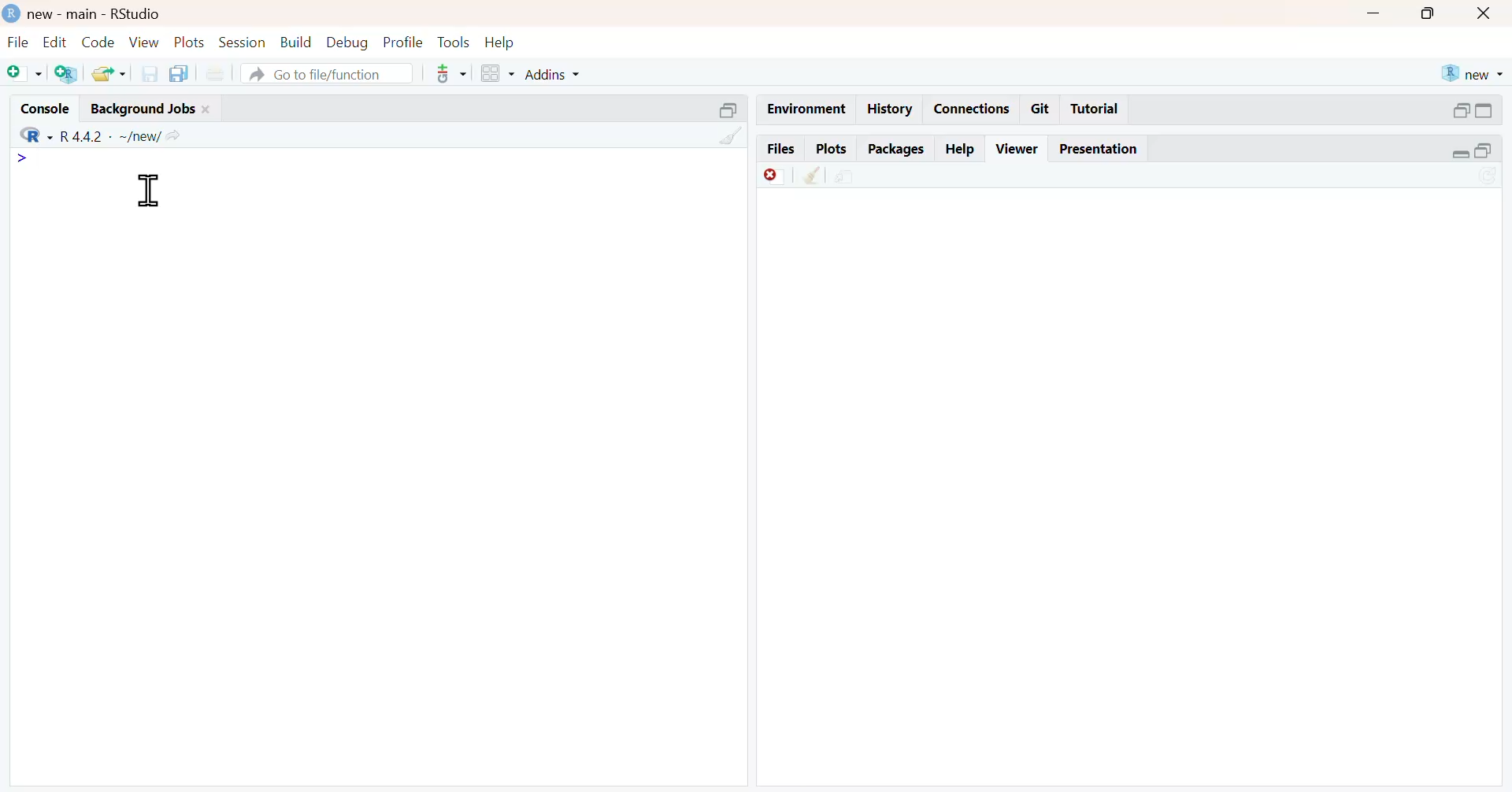  Describe the element at coordinates (895, 150) in the screenshot. I see `packages` at that location.